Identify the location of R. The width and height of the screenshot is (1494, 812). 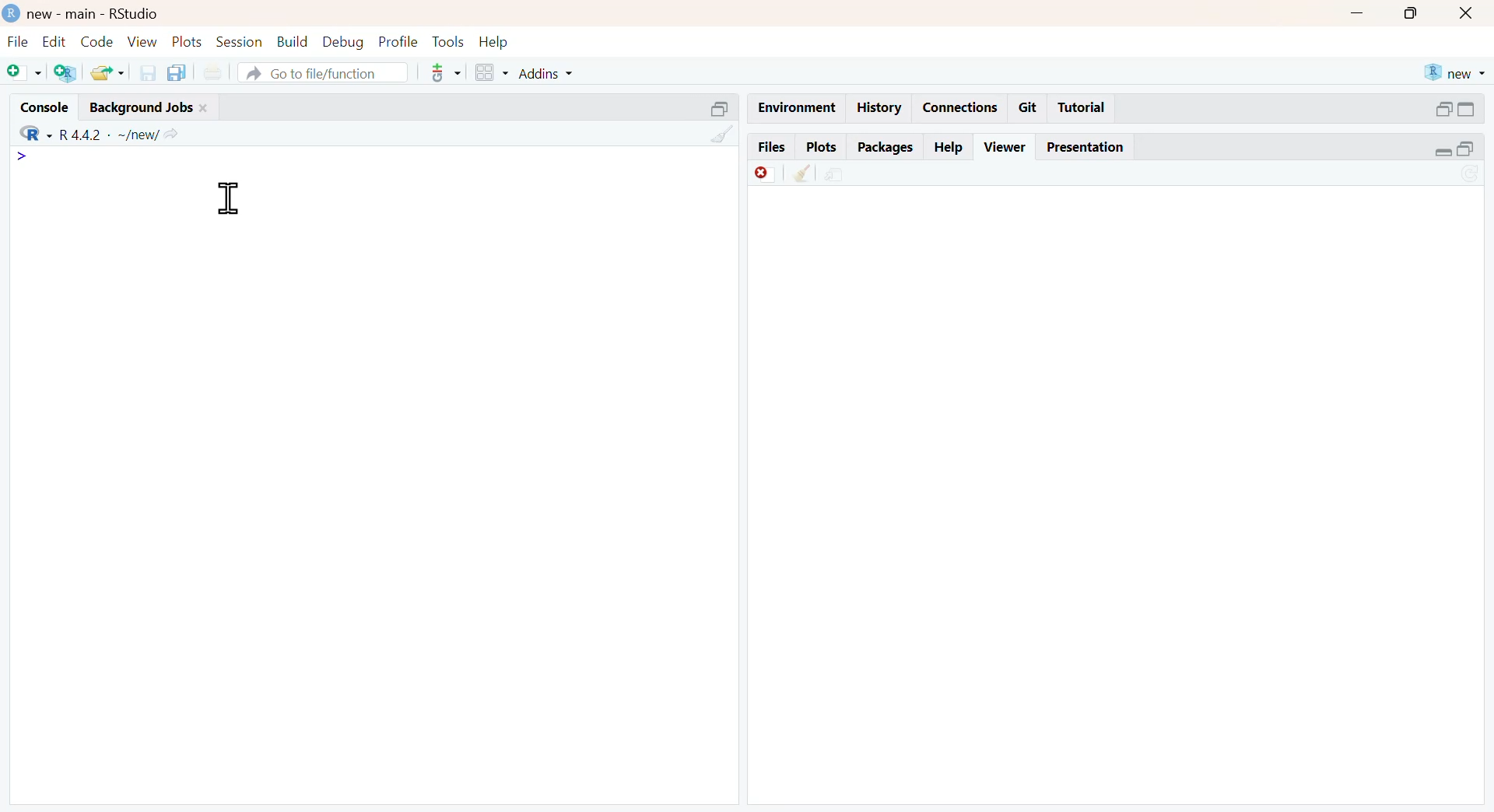
(36, 134).